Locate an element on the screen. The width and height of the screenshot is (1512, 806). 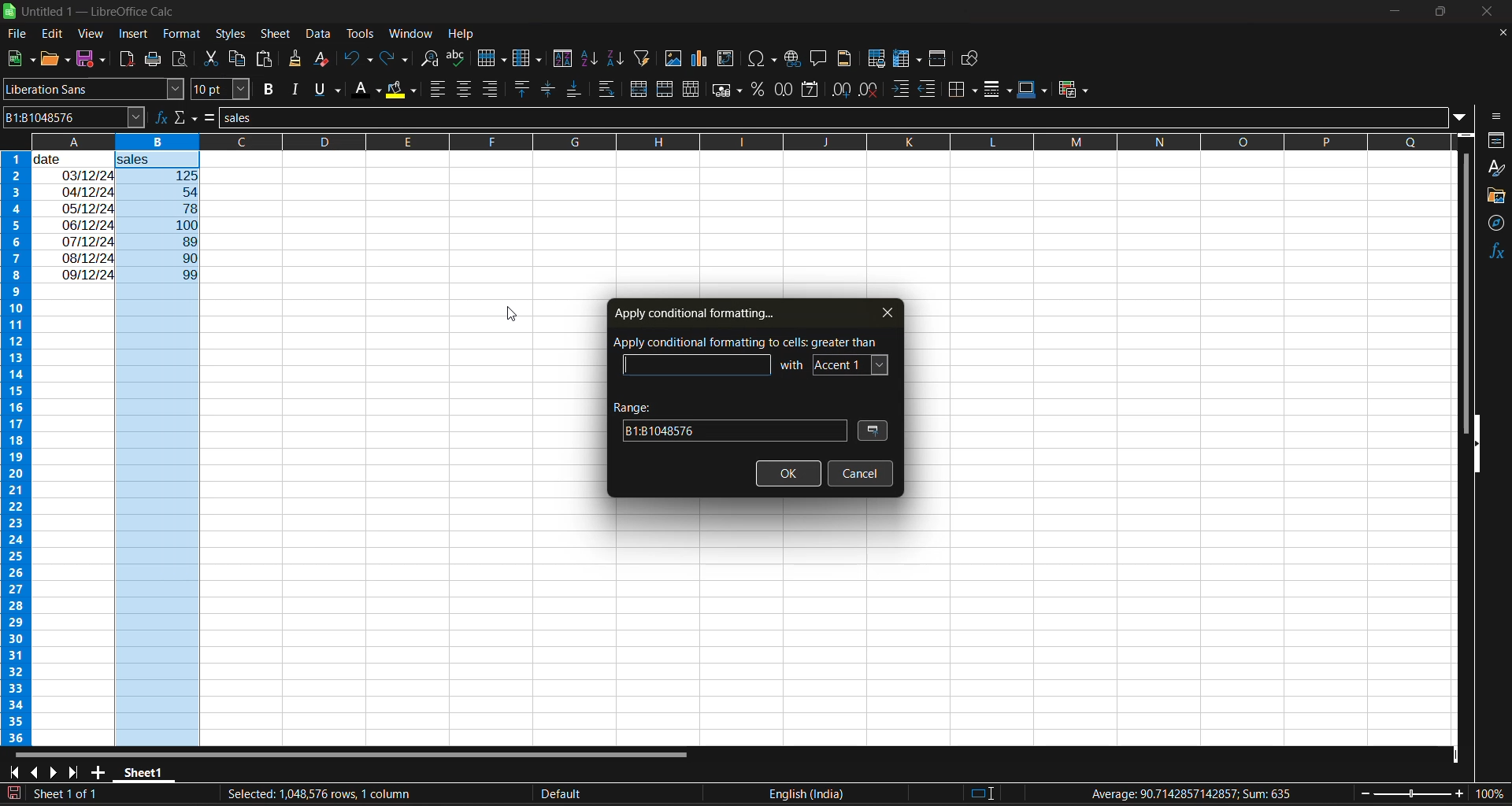
increase indent is located at coordinates (901, 89).